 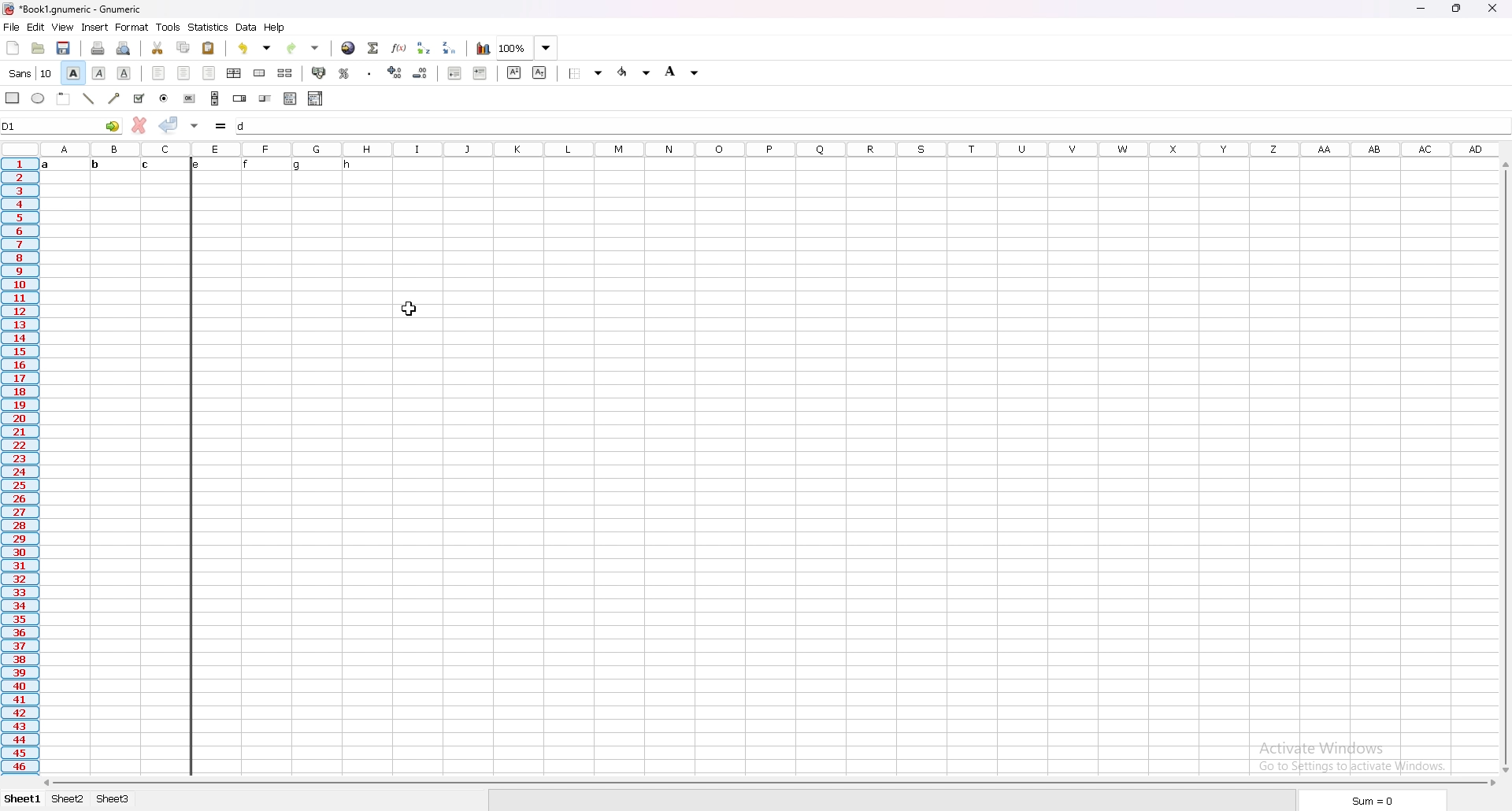 I want to click on tools, so click(x=169, y=27).